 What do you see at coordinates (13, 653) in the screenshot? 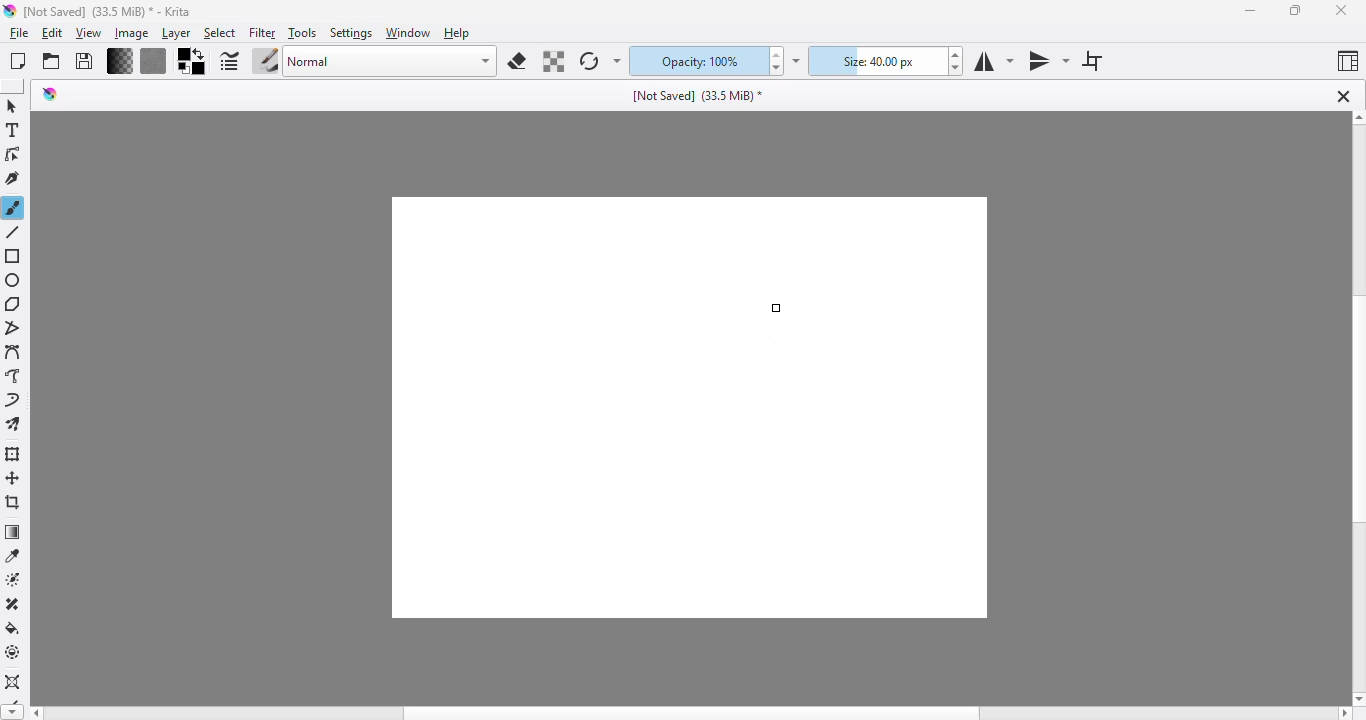
I see `enclose and fill tool` at bounding box center [13, 653].